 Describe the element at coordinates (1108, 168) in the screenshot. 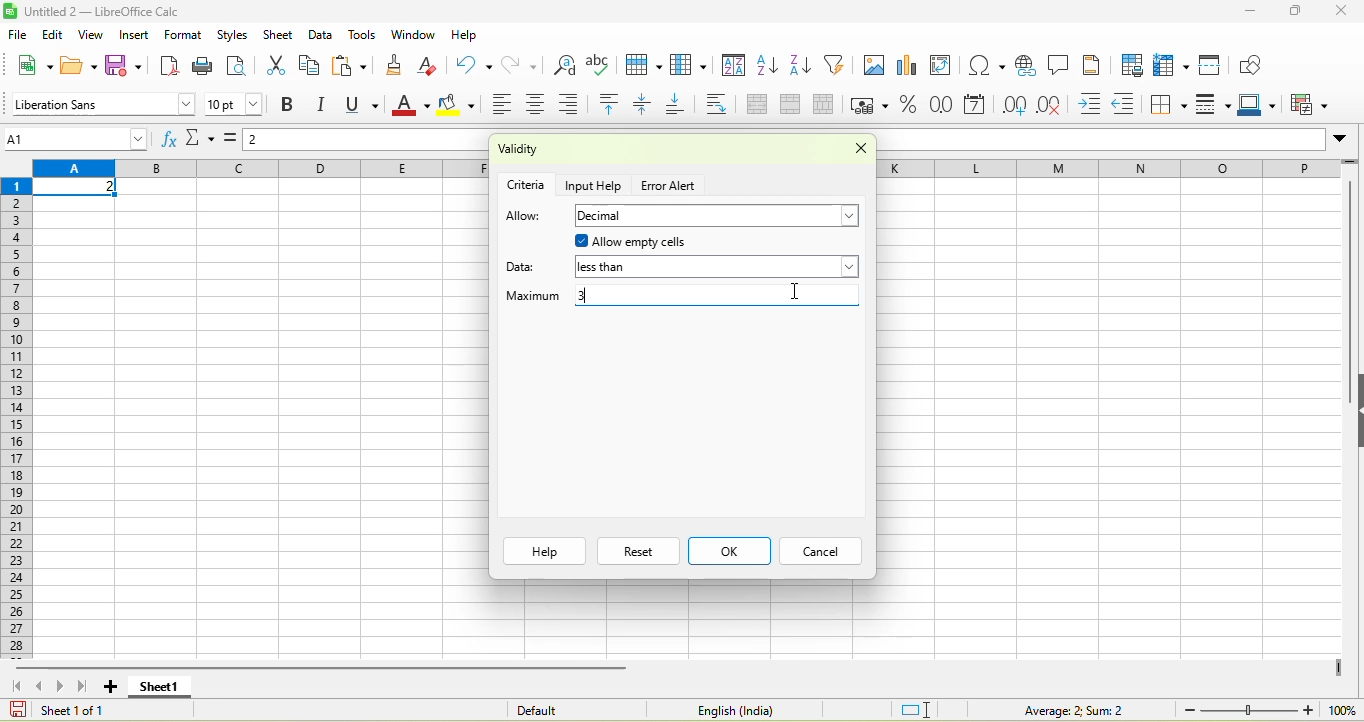

I see `row` at that location.